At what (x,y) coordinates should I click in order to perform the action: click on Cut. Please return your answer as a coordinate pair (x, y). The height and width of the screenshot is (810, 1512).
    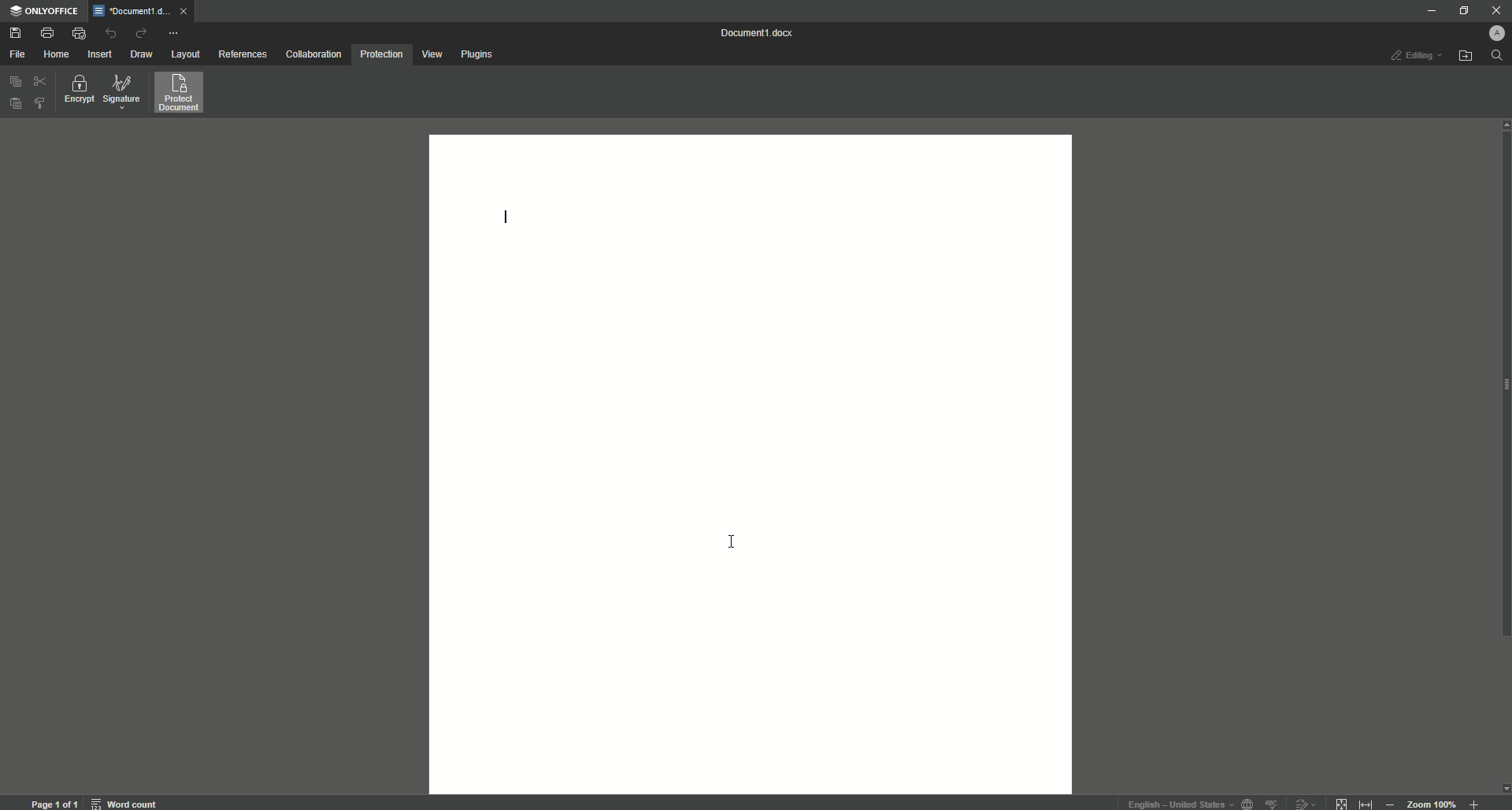
    Looking at the image, I should click on (39, 82).